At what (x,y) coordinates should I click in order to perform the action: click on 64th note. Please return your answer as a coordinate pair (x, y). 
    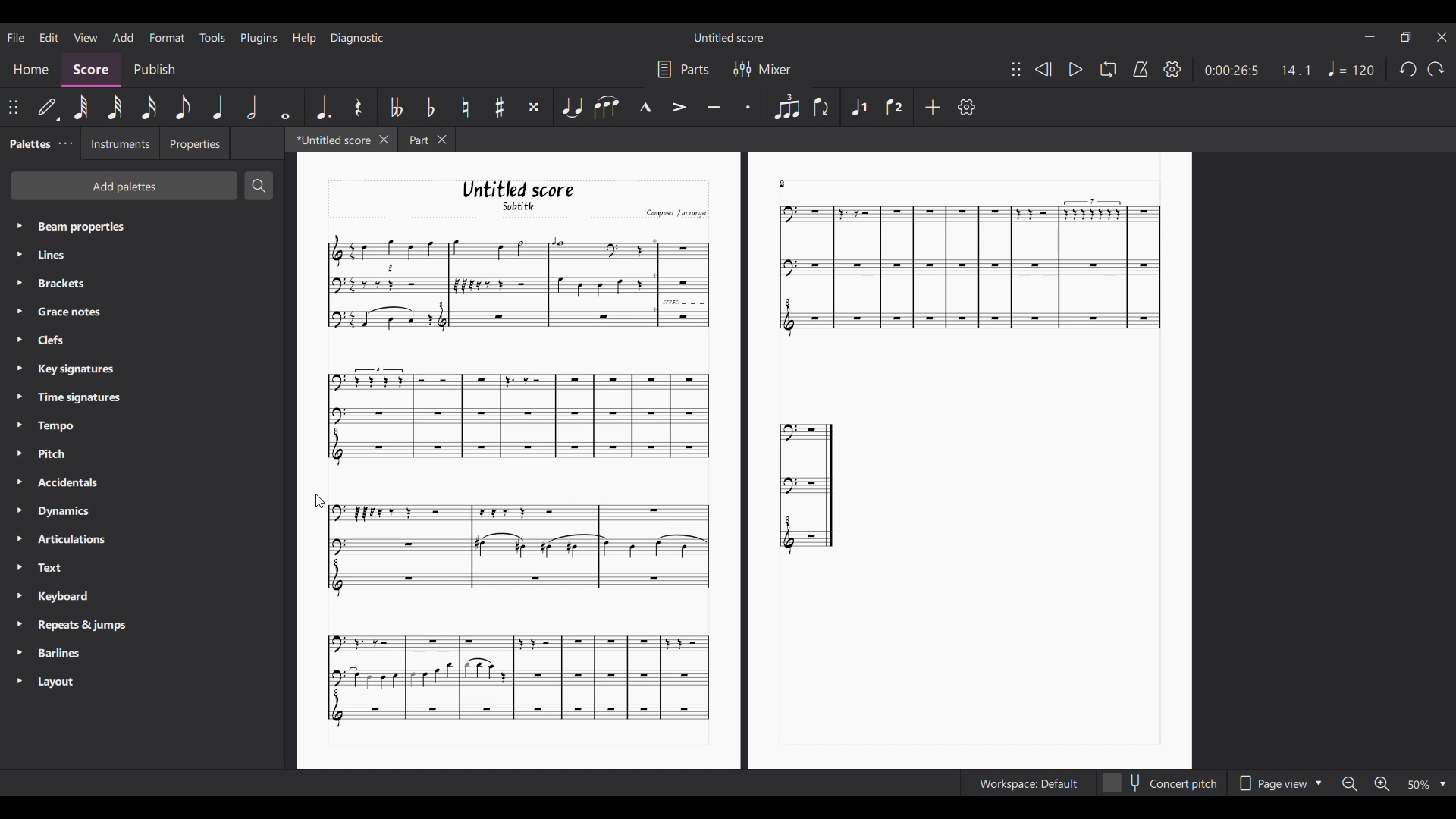
    Looking at the image, I should click on (81, 107).